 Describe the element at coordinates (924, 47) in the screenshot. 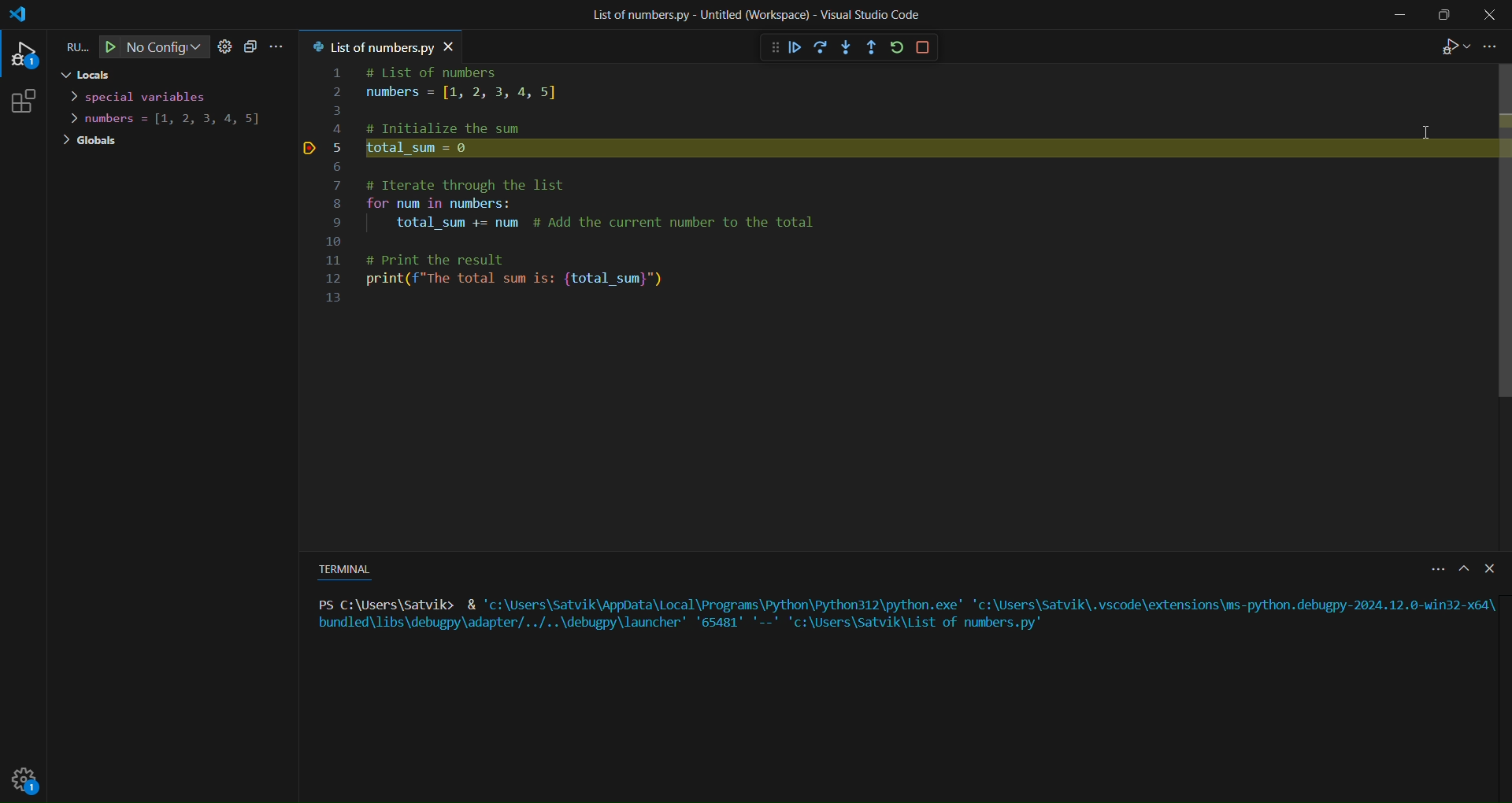

I see `stop ` at that location.